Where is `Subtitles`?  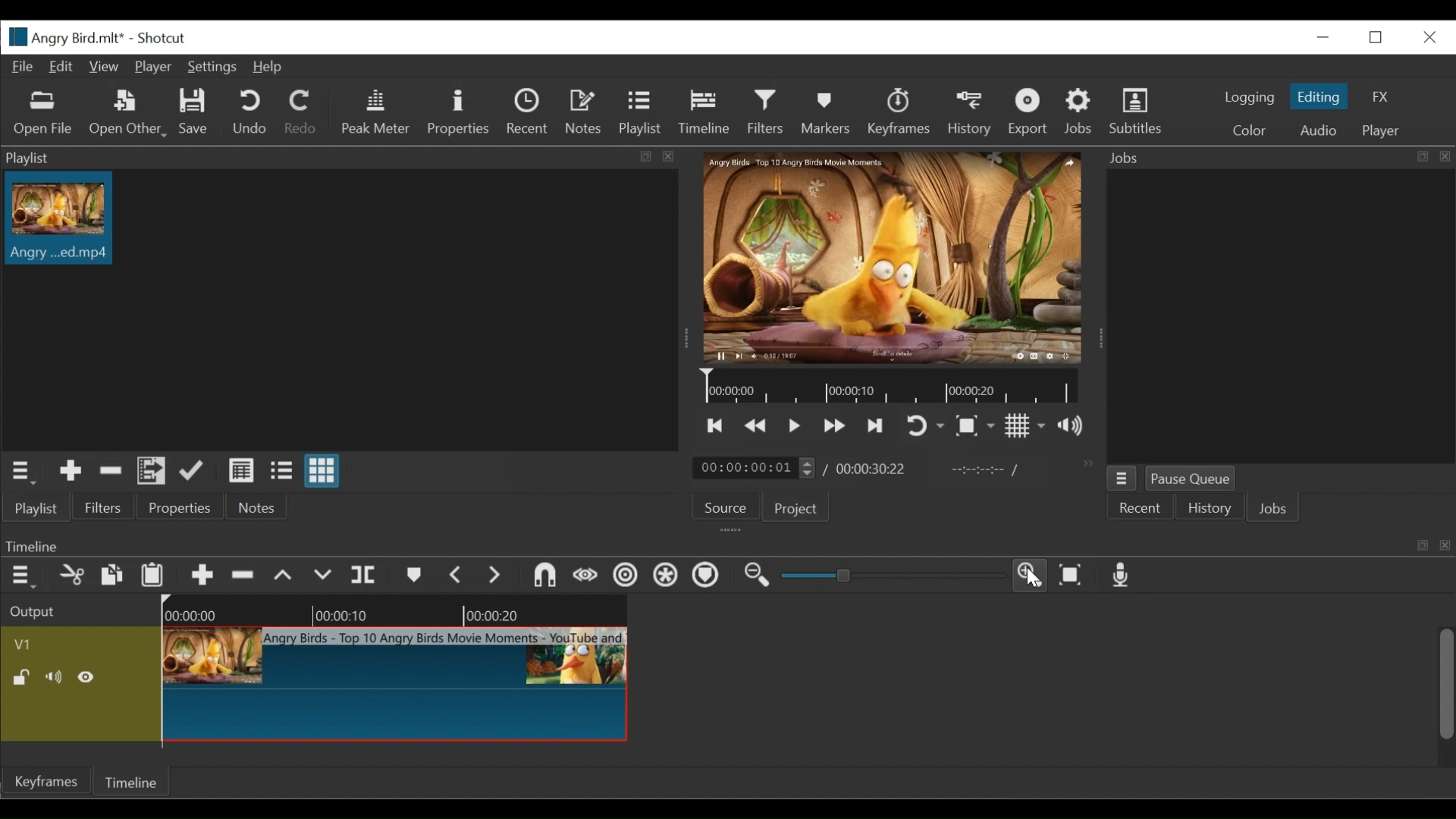 Subtitles is located at coordinates (1140, 114).